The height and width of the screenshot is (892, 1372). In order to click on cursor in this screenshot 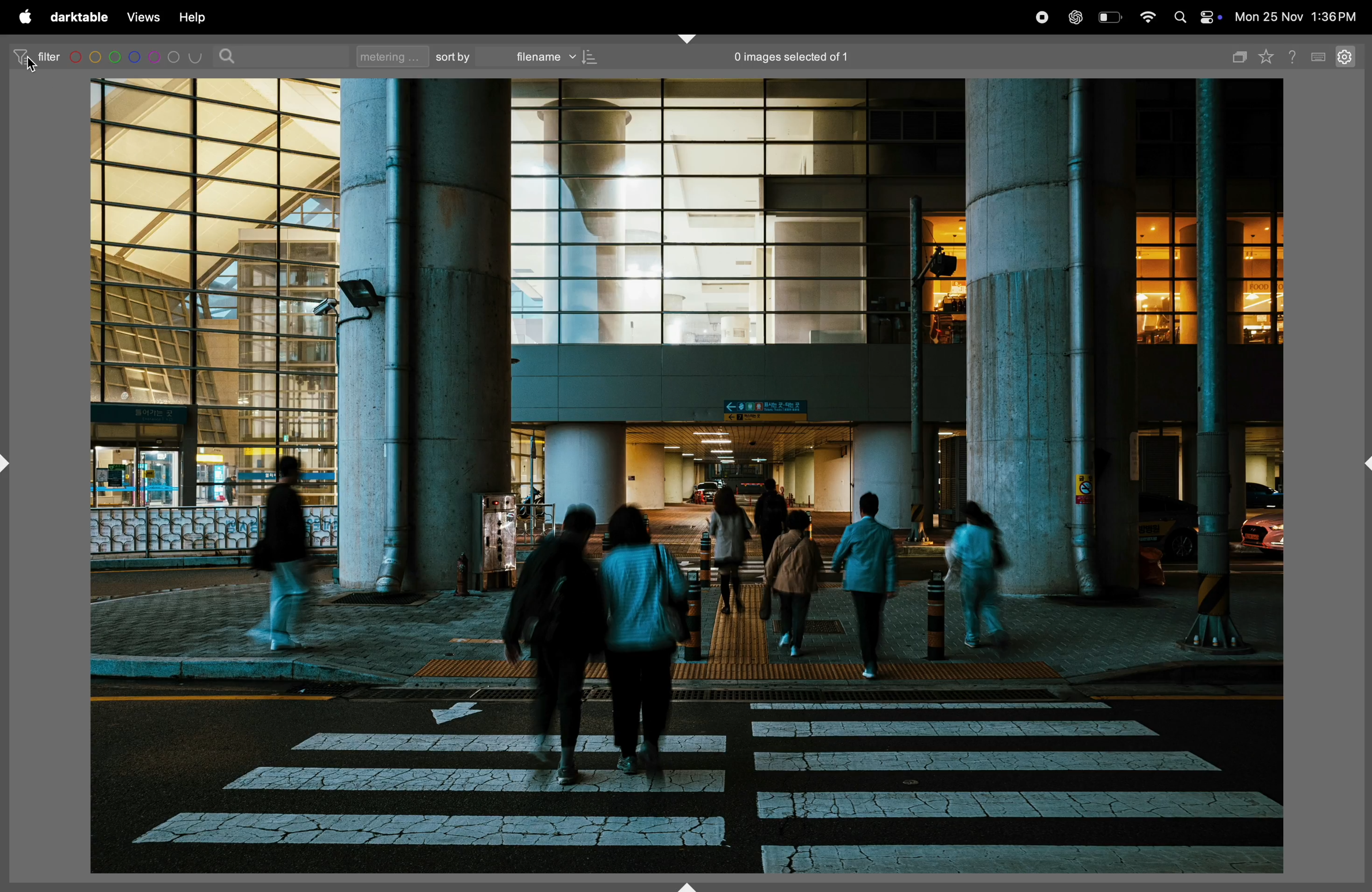, I will do `click(31, 67)`.